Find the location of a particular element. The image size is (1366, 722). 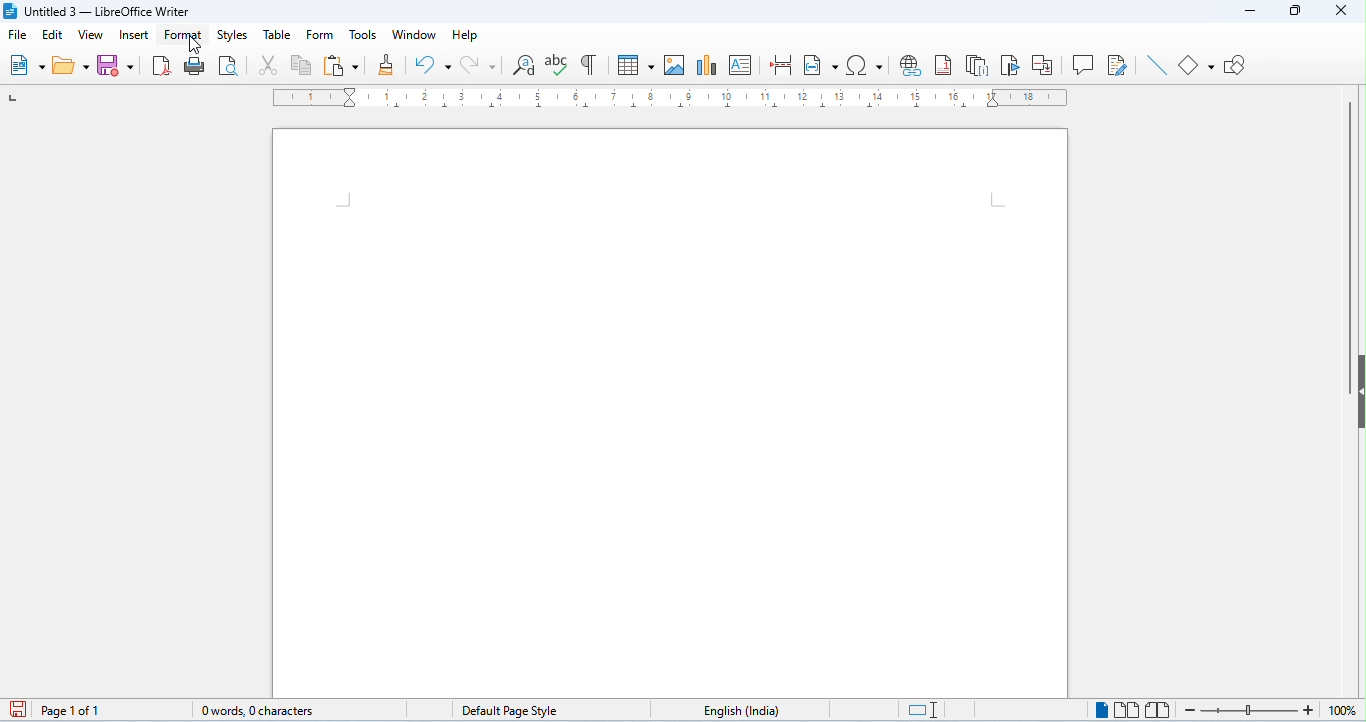

find and replace is located at coordinates (526, 66).